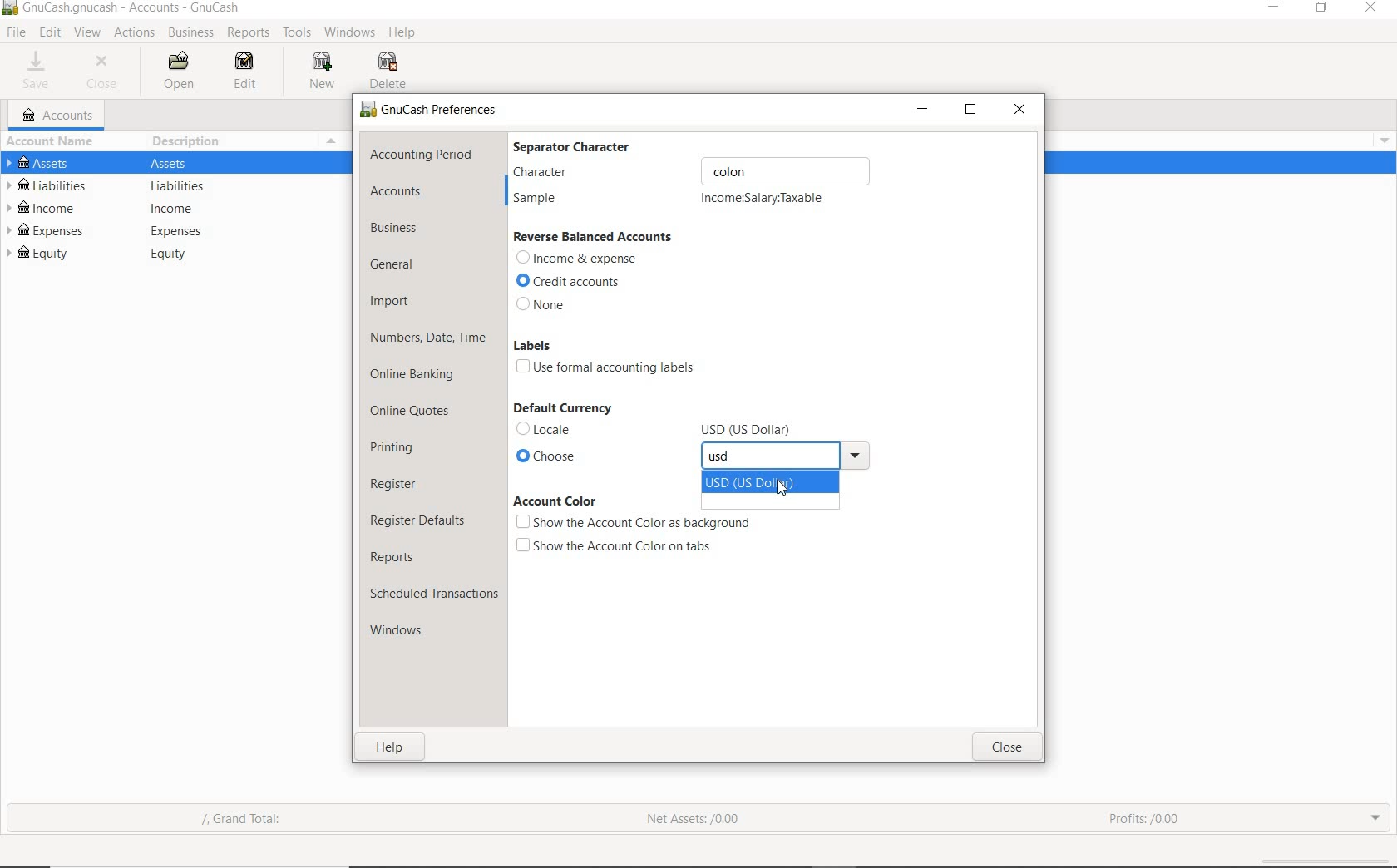 This screenshot has width=1397, height=868. I want to click on labels, so click(532, 345).